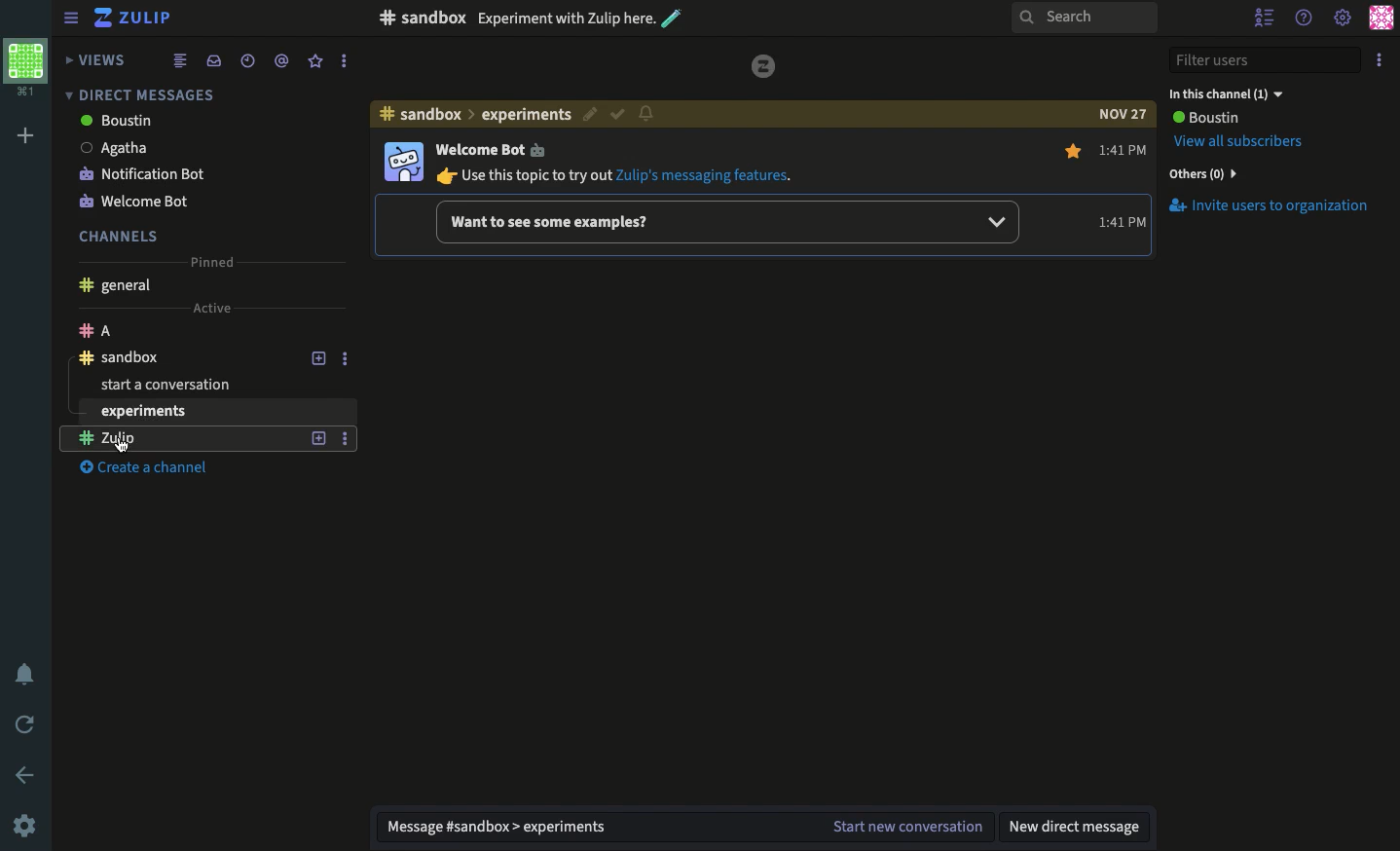 Image resolution: width=1400 pixels, height=851 pixels. I want to click on Profile, so click(402, 163).